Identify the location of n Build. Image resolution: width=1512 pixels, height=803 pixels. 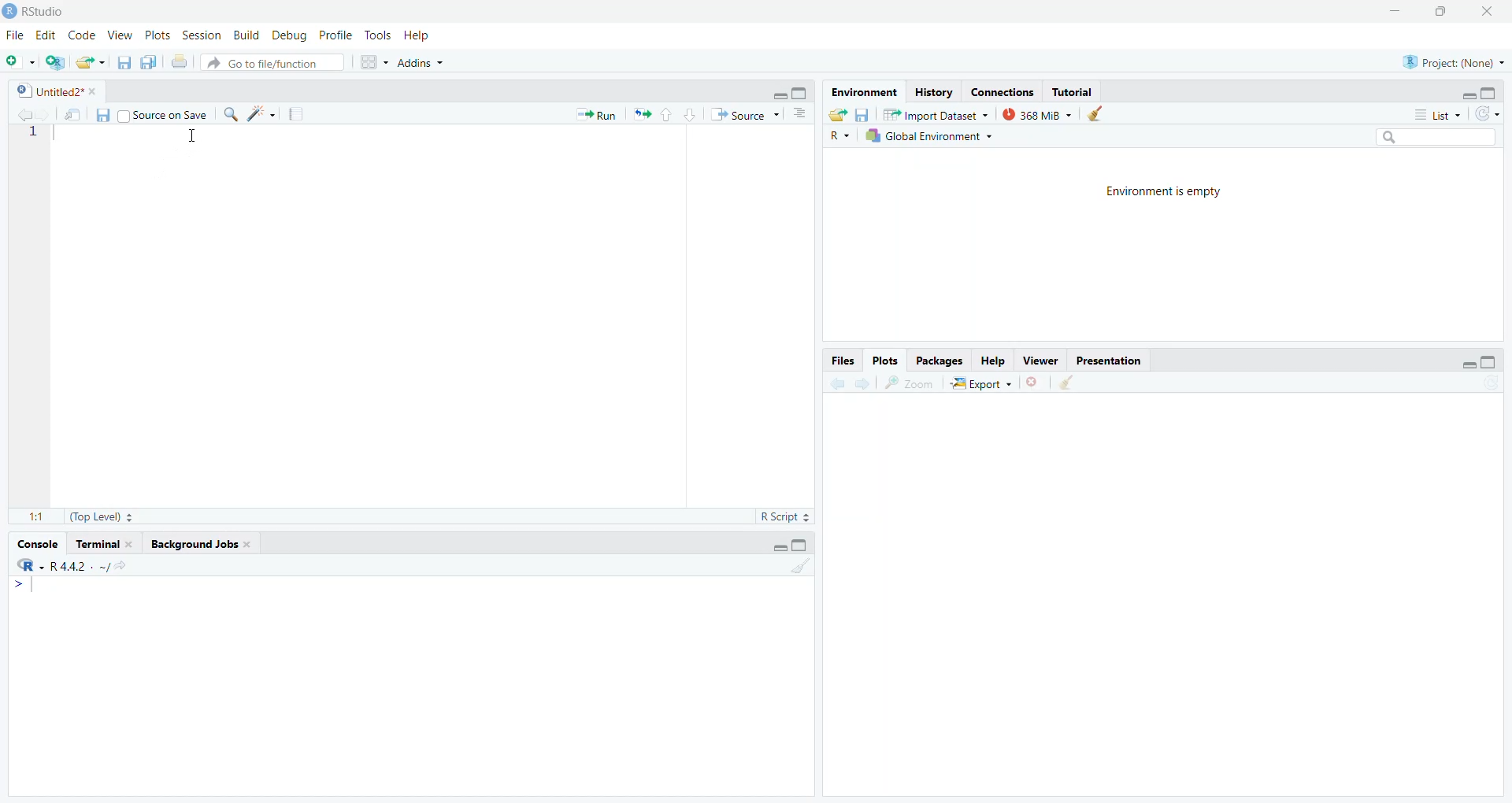
(245, 36).